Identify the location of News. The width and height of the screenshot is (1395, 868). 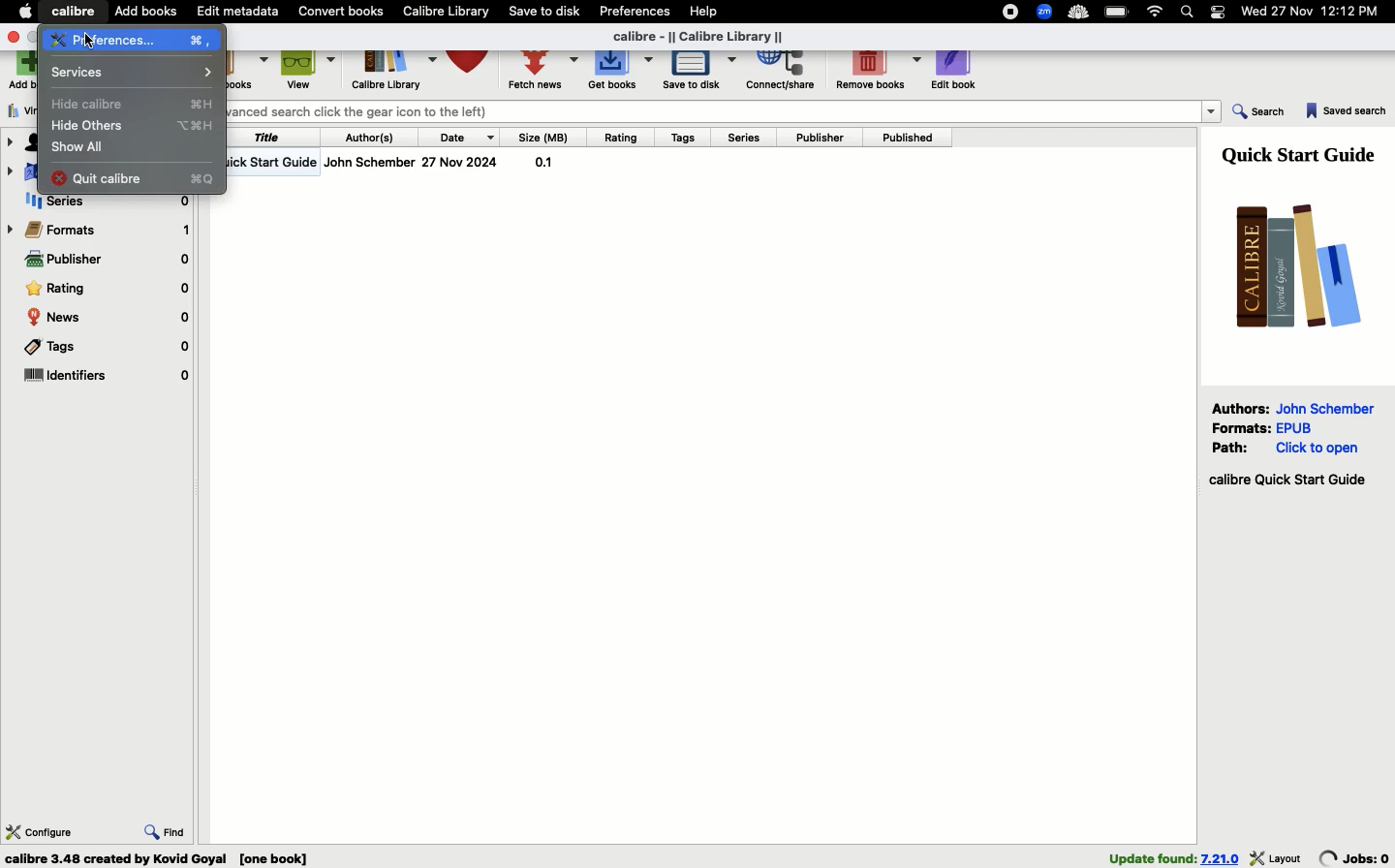
(108, 318).